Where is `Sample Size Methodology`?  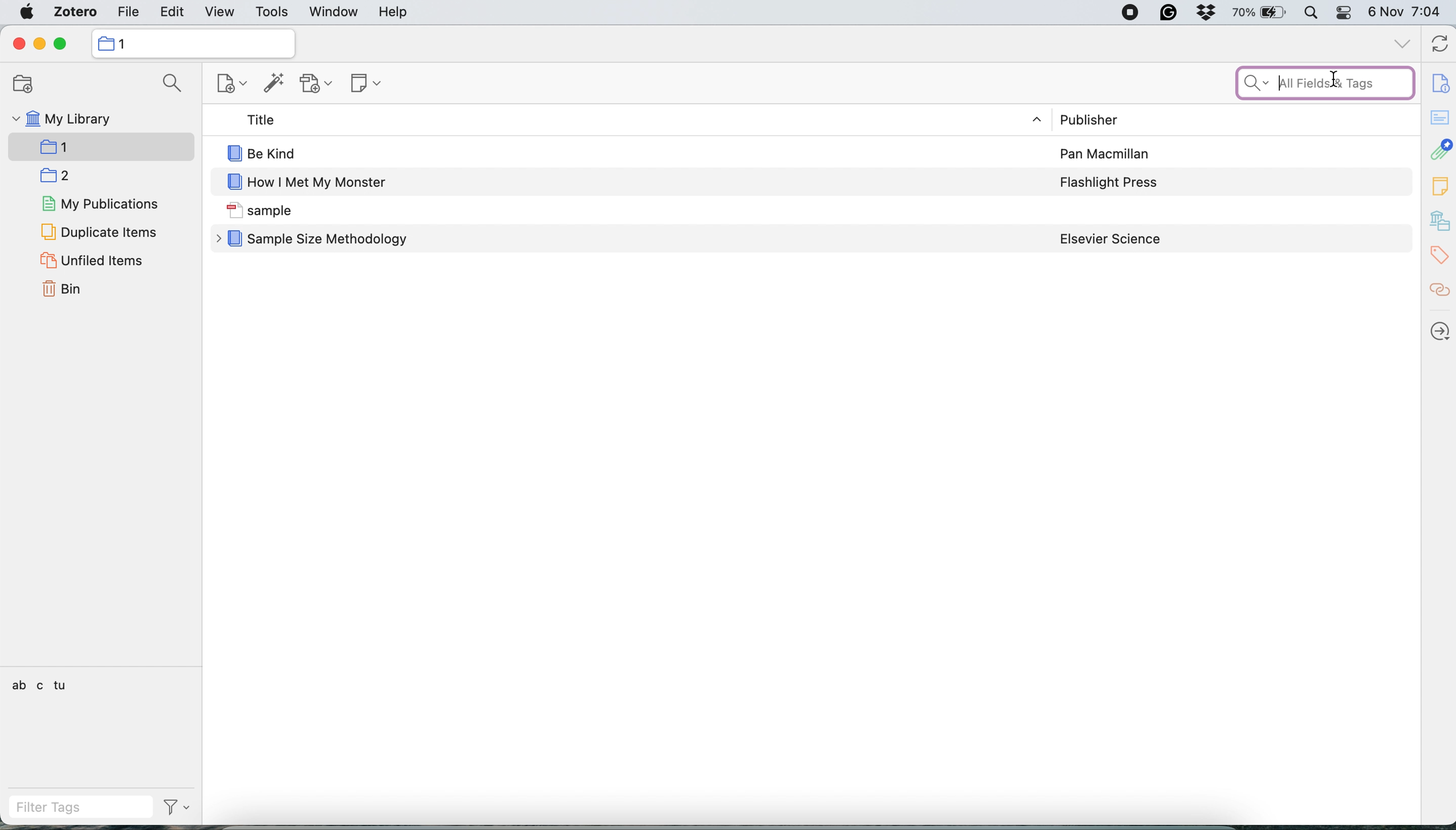
Sample Size Methodology is located at coordinates (331, 241).